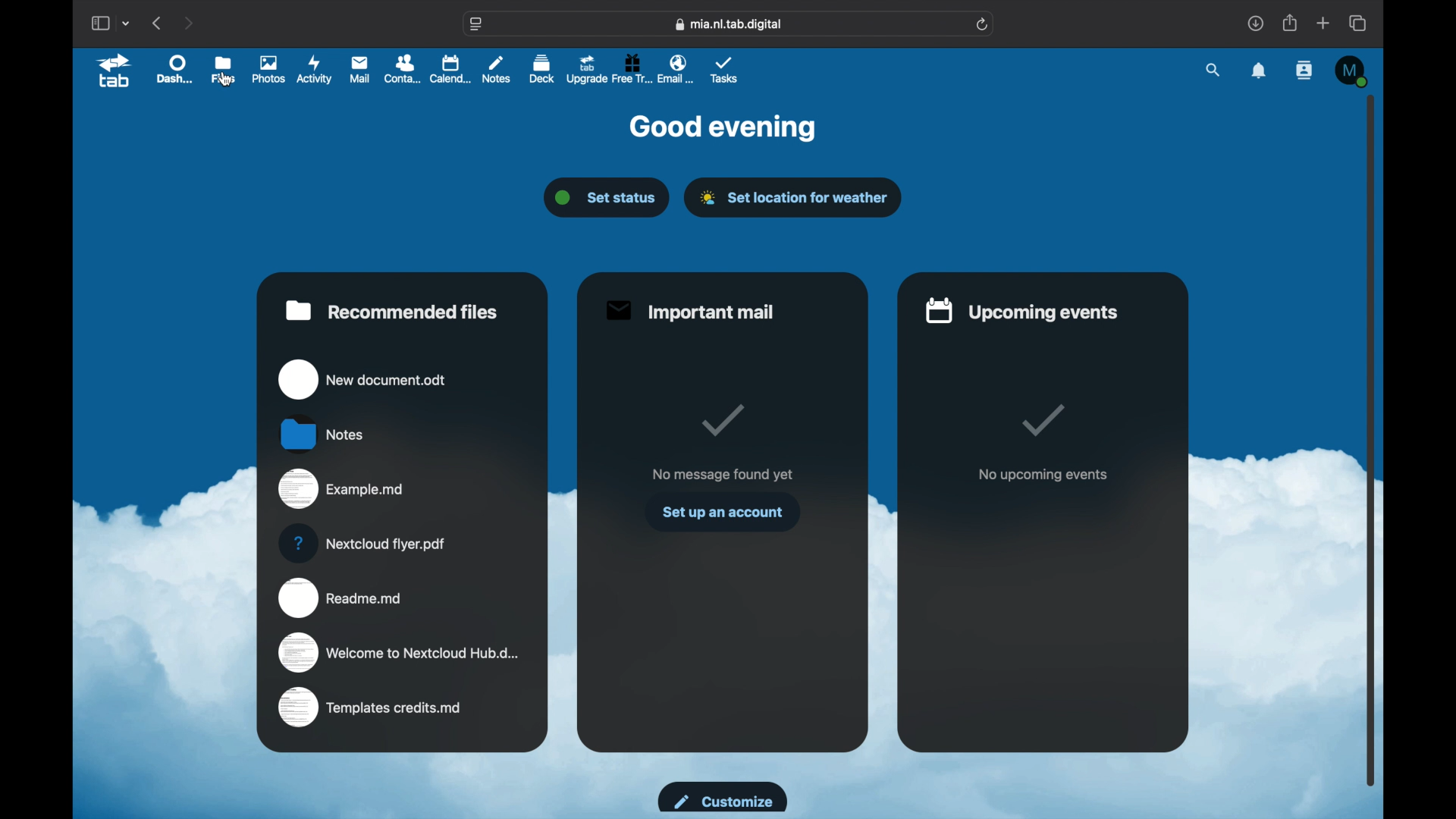 Image resolution: width=1456 pixels, height=819 pixels. Describe the element at coordinates (723, 475) in the screenshot. I see `no message found yet` at that location.